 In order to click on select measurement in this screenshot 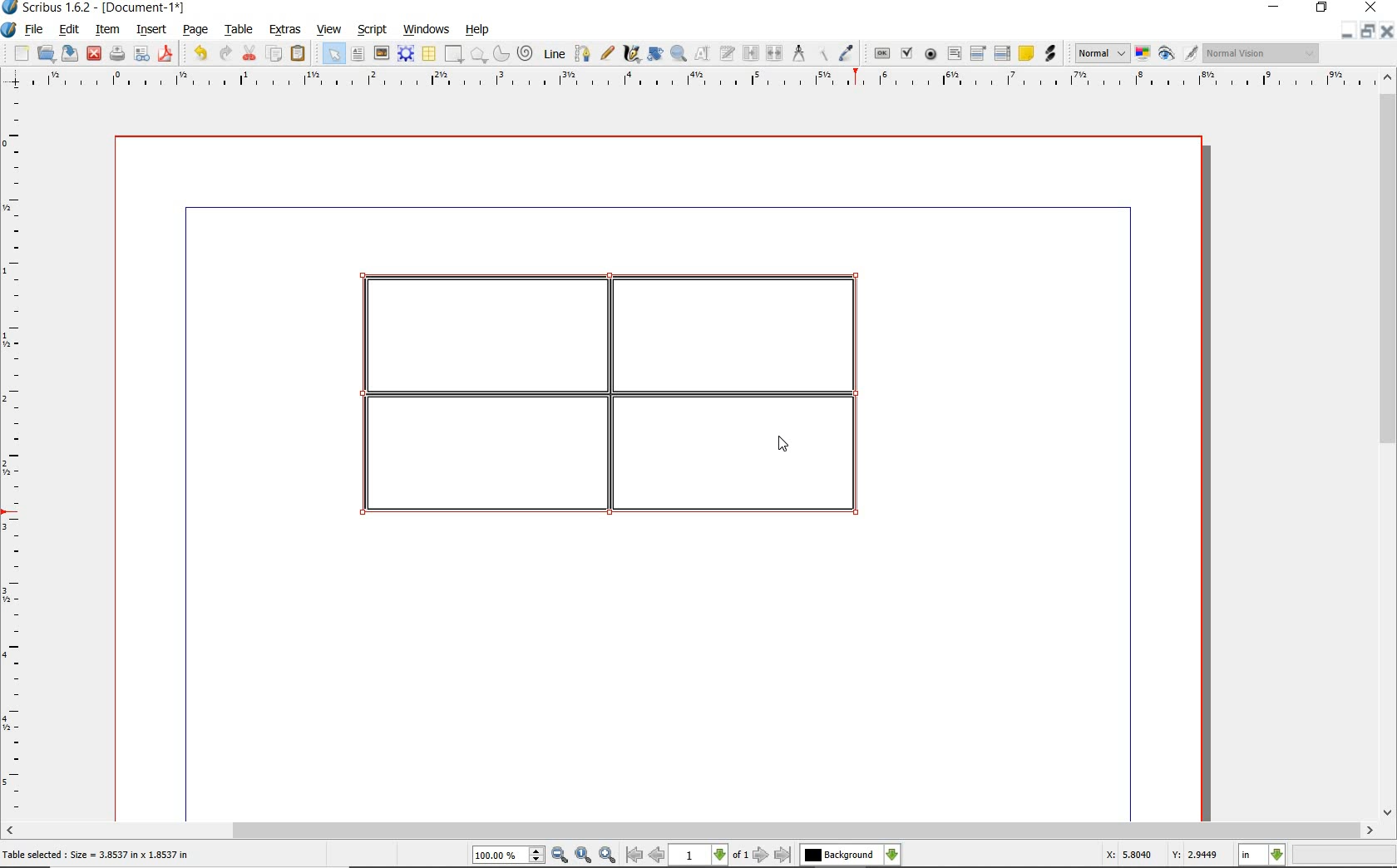, I will do `click(1262, 855)`.